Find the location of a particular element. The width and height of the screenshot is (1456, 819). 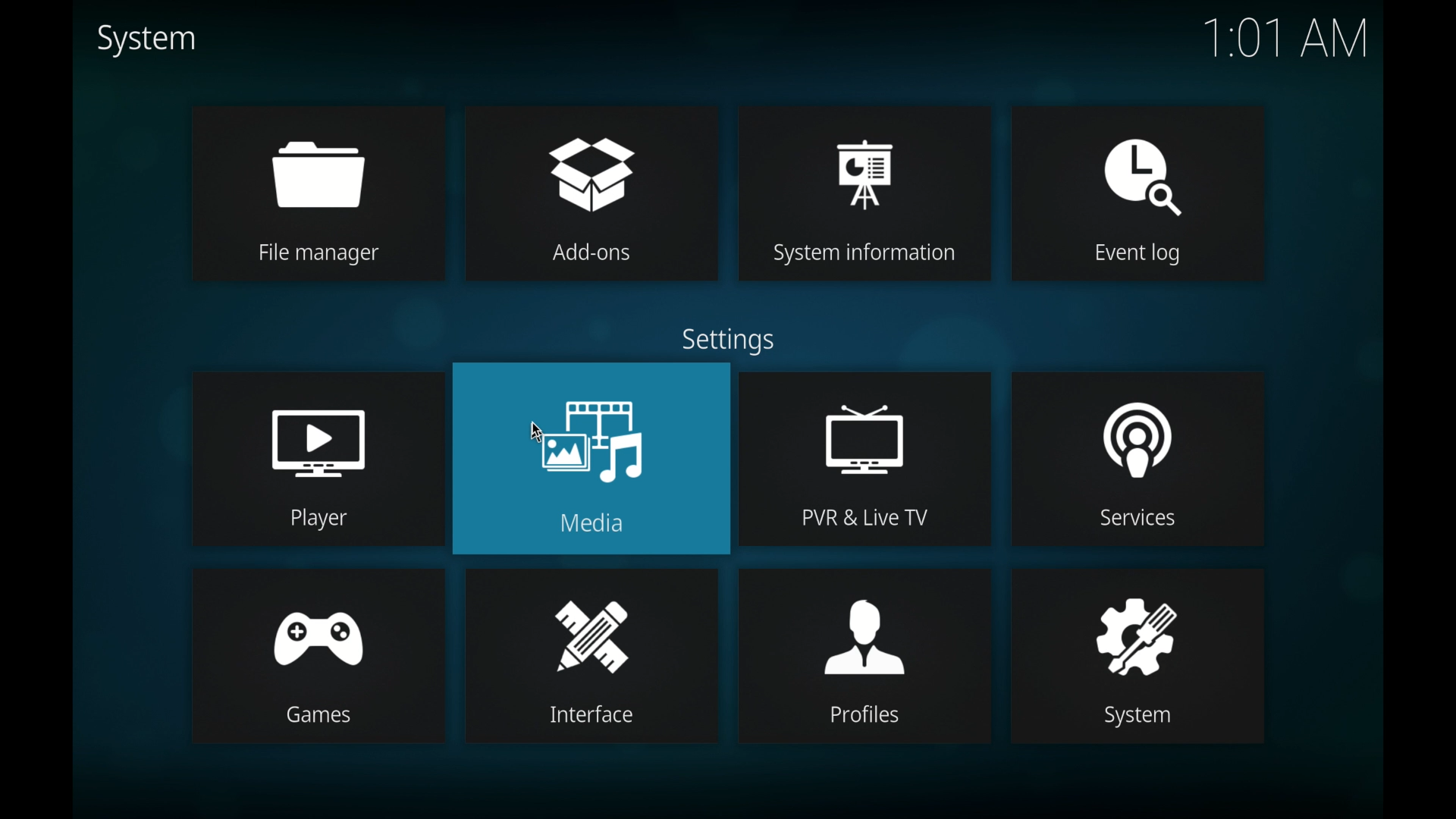

Interface is located at coordinates (591, 719).